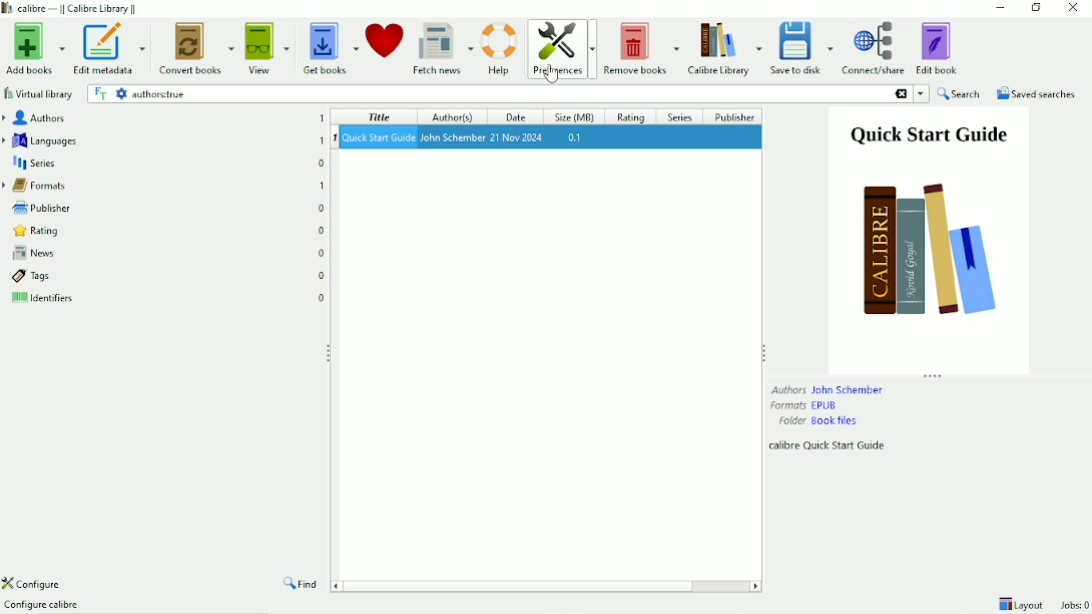 This screenshot has width=1092, height=614. I want to click on Calibre Library, so click(723, 49).